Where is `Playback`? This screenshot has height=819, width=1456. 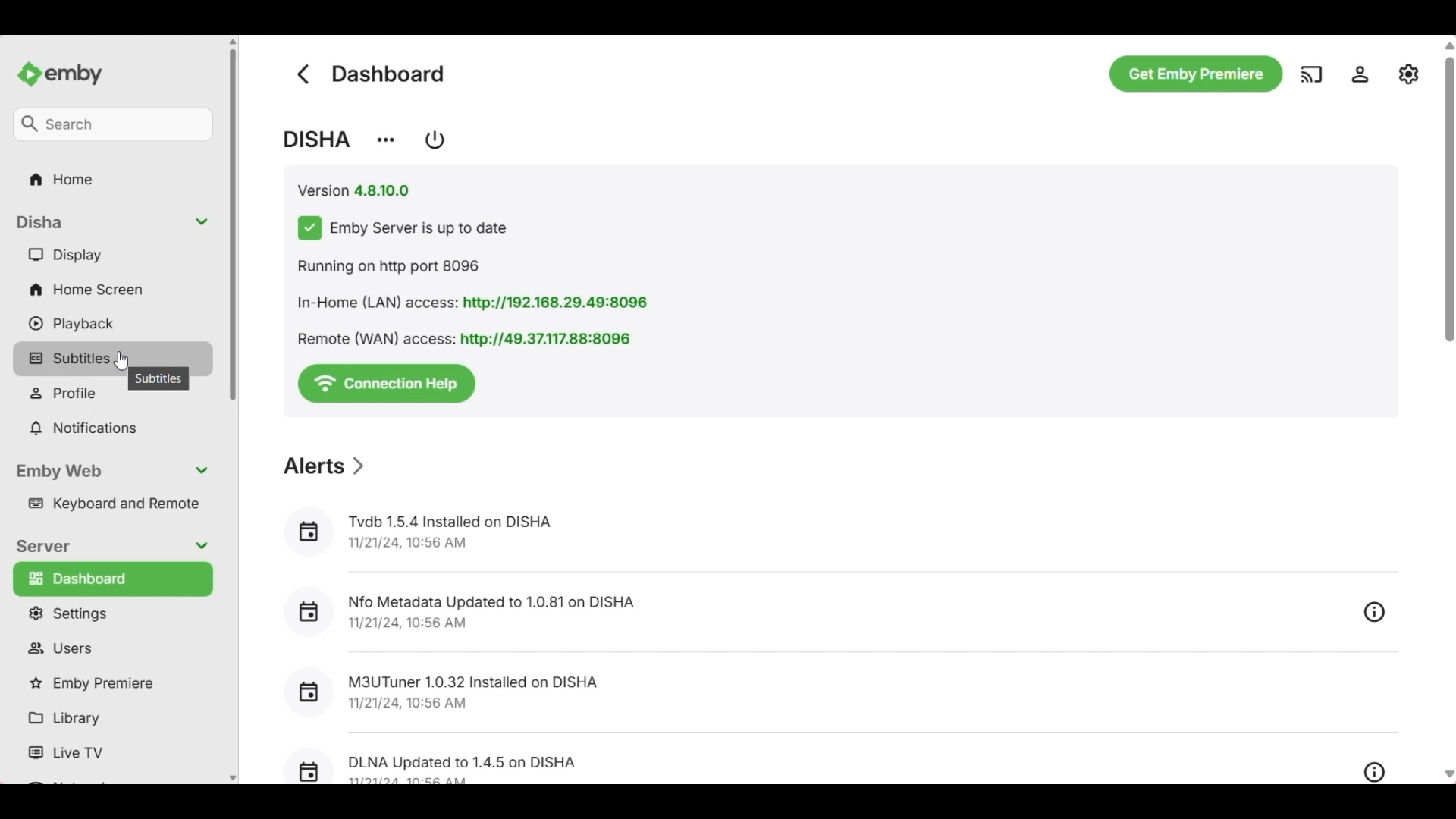
Playback is located at coordinates (115, 324).